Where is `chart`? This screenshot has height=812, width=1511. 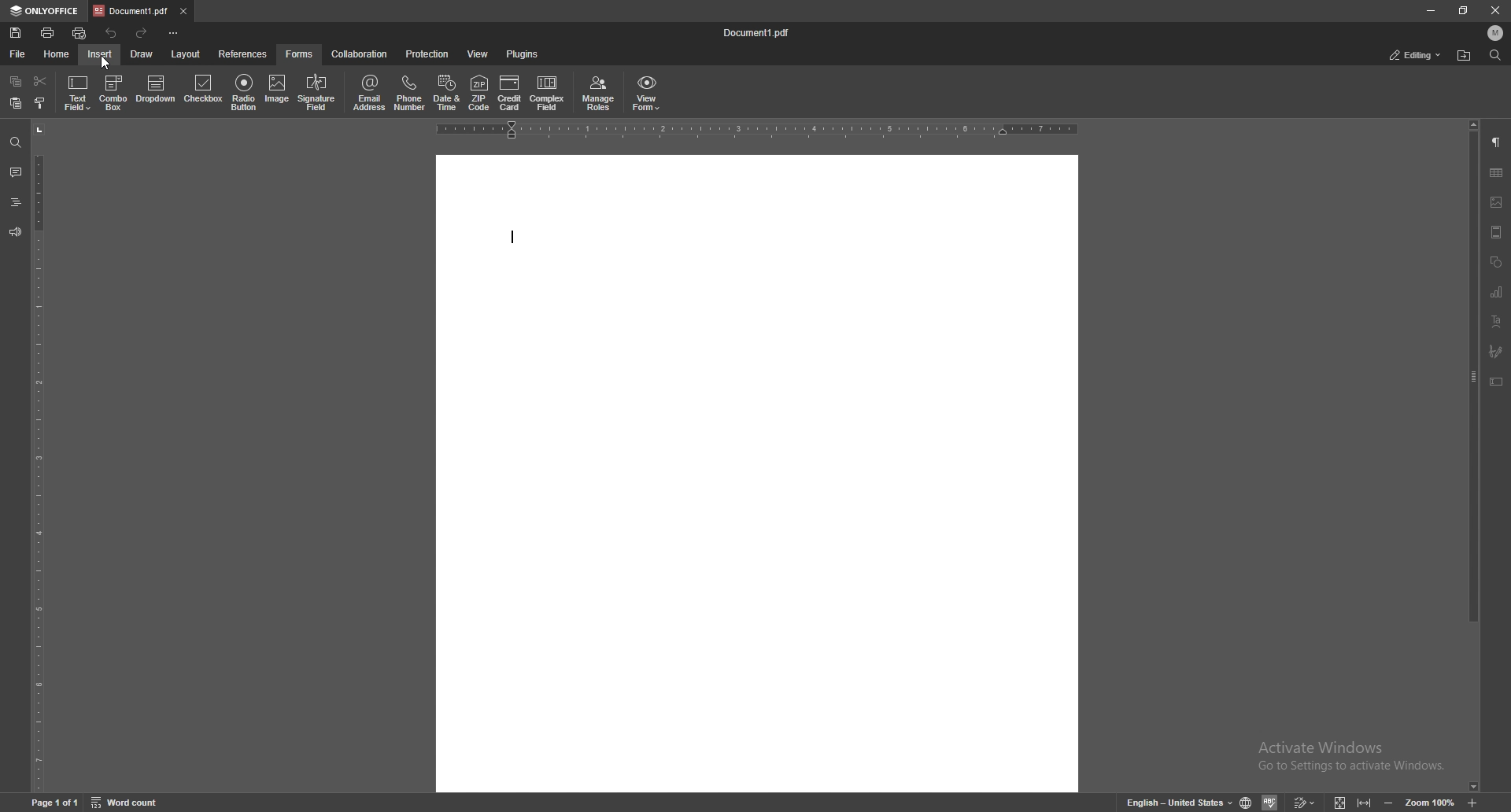
chart is located at coordinates (1495, 292).